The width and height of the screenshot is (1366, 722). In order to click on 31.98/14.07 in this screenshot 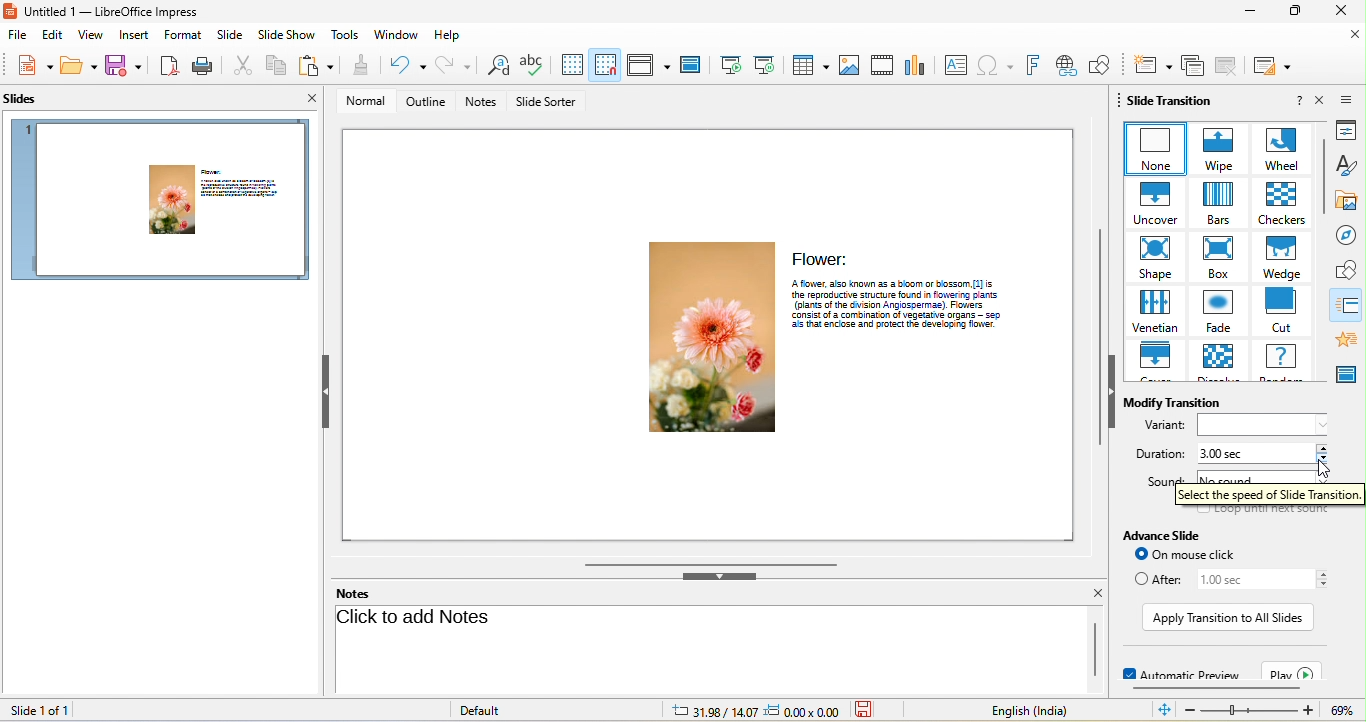, I will do `click(714, 711)`.